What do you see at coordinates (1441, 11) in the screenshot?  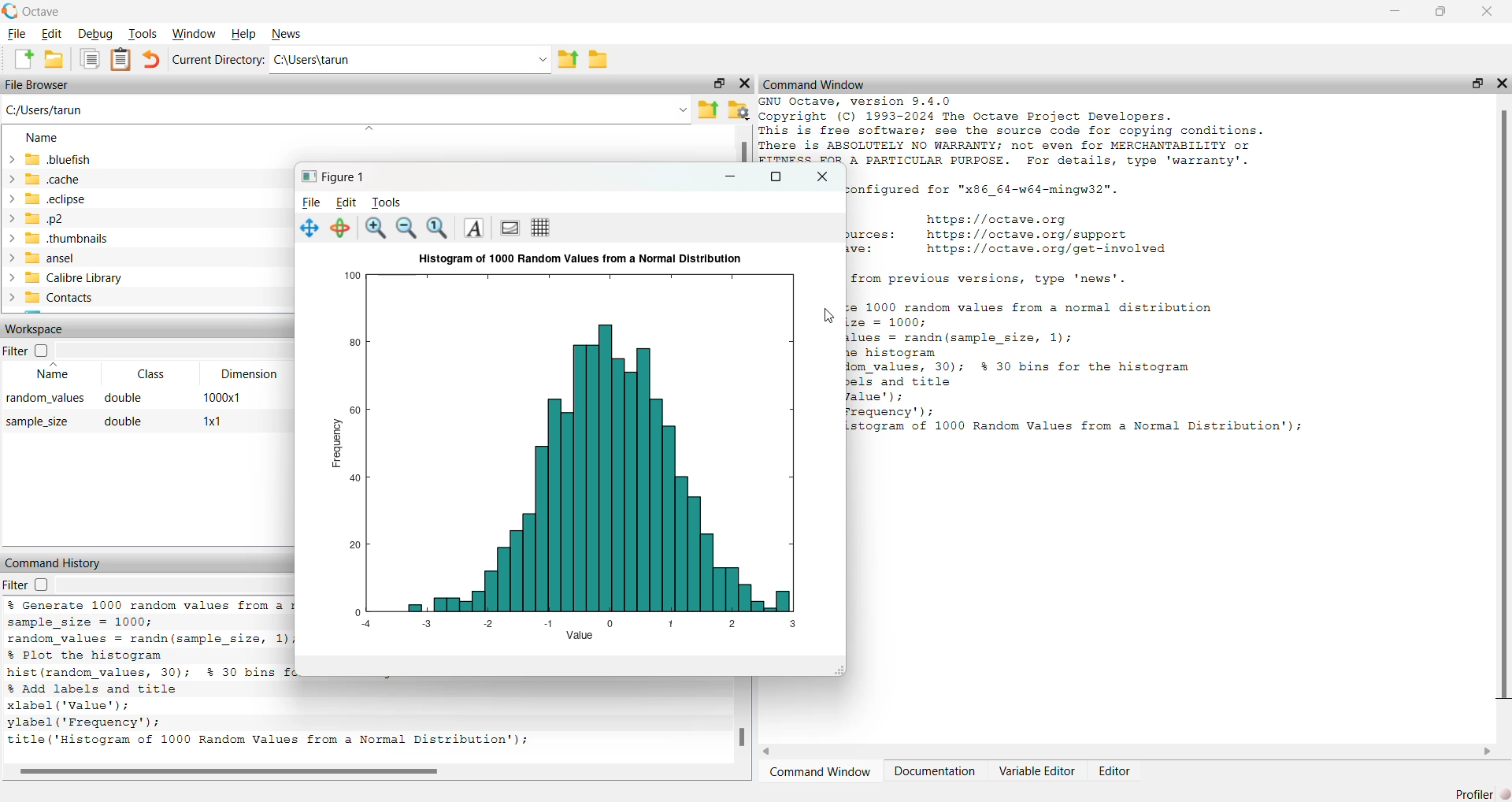 I see `maximize` at bounding box center [1441, 11].